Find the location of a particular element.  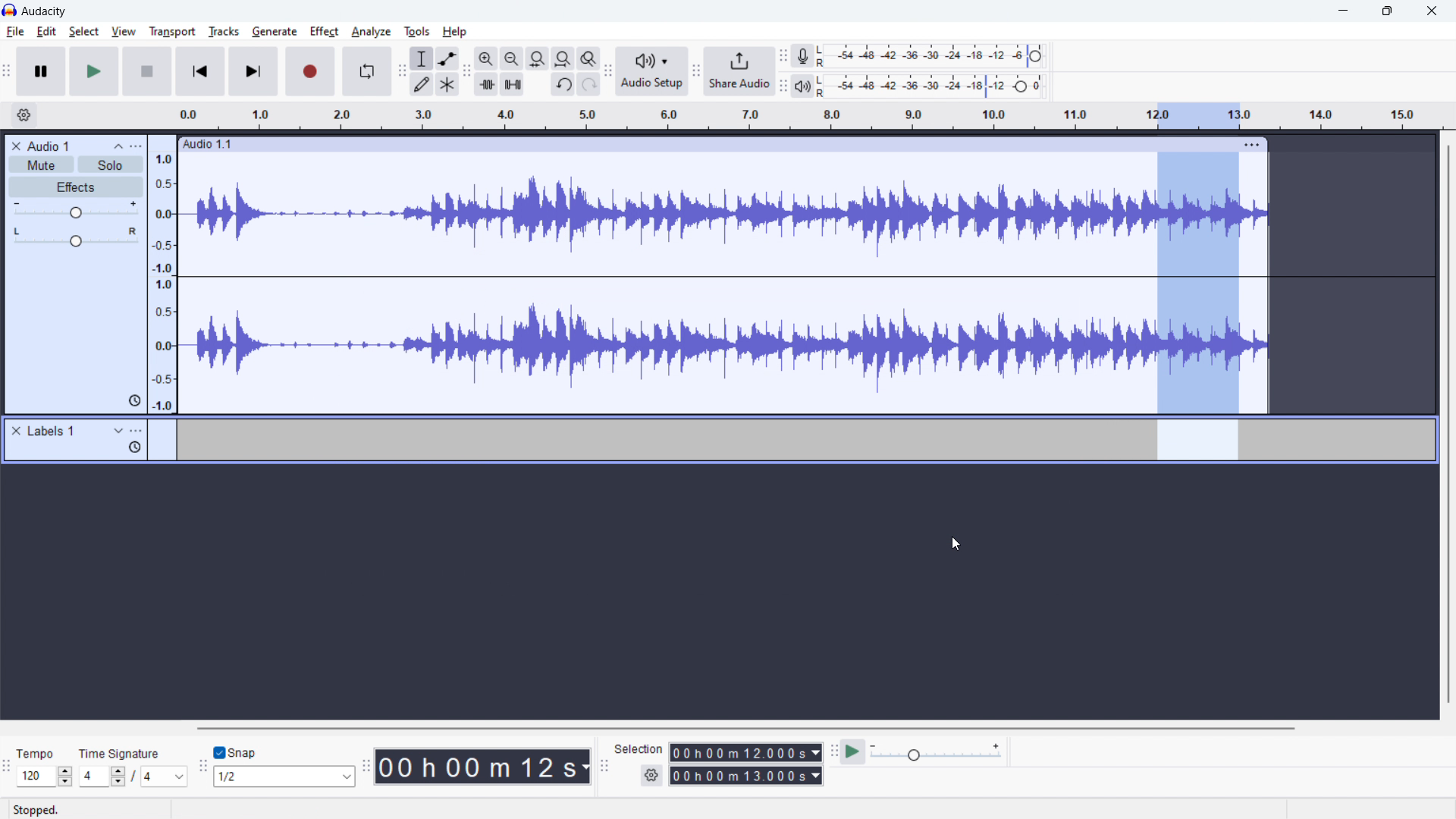

playback speed is located at coordinates (935, 752).